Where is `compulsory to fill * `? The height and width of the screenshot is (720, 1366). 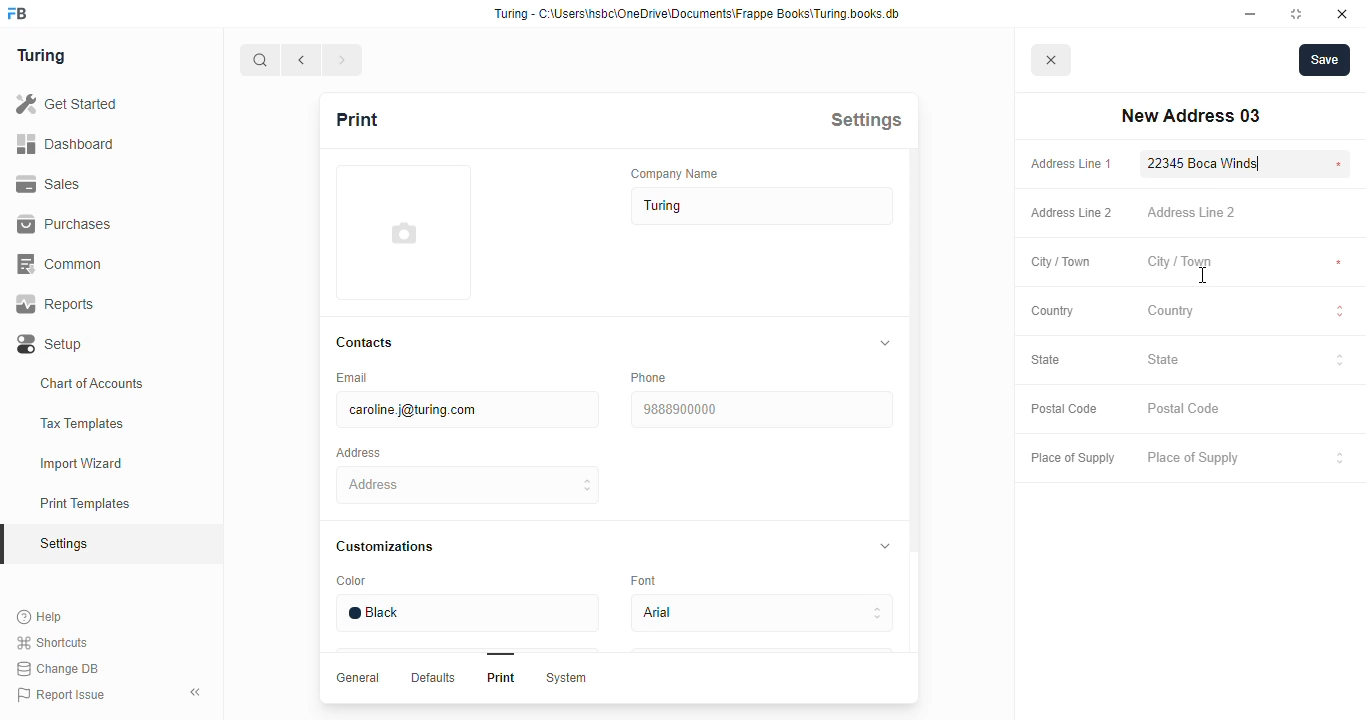 compulsory to fill *  is located at coordinates (1340, 263).